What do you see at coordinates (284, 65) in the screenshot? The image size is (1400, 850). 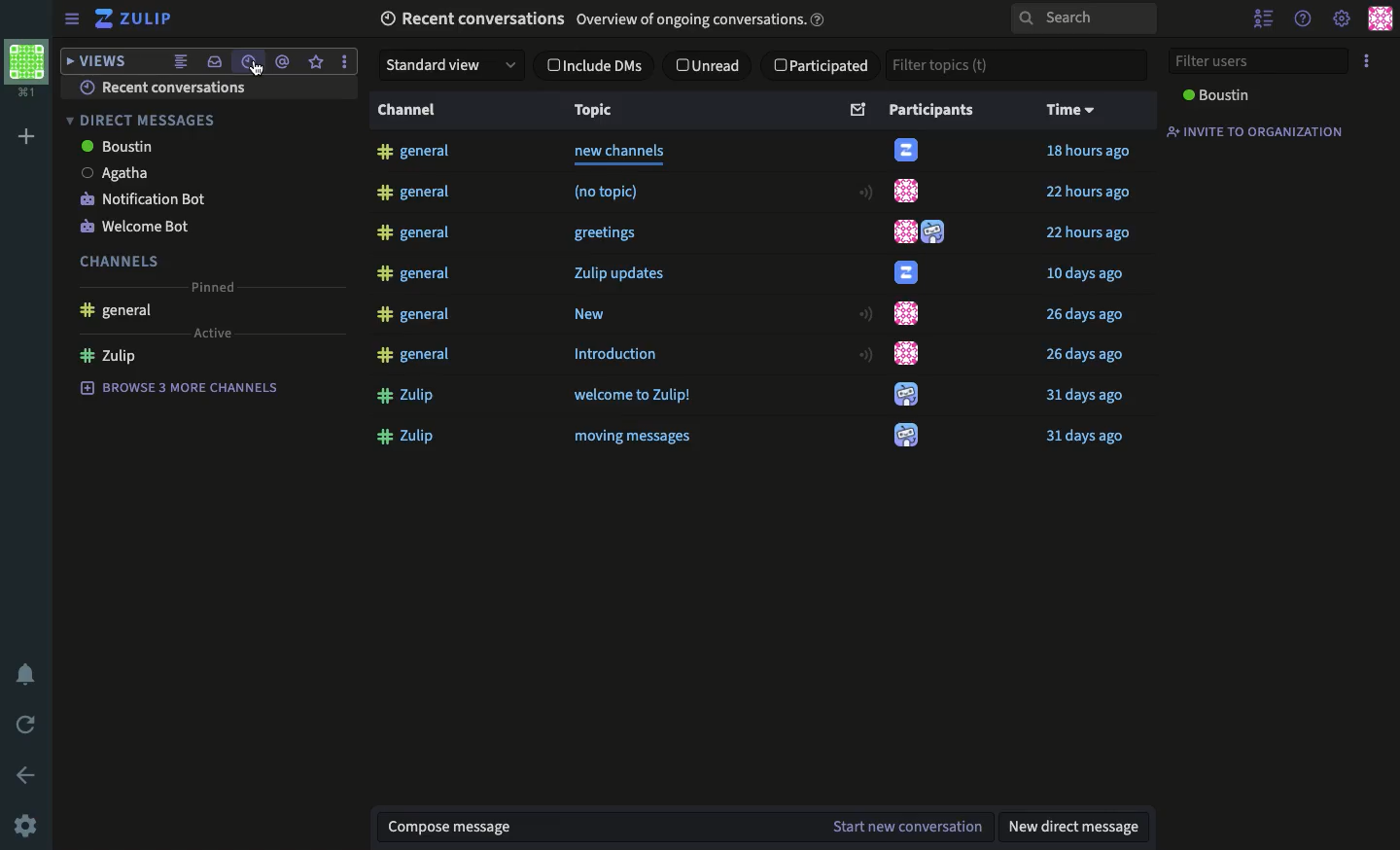 I see `Mention` at bounding box center [284, 65].